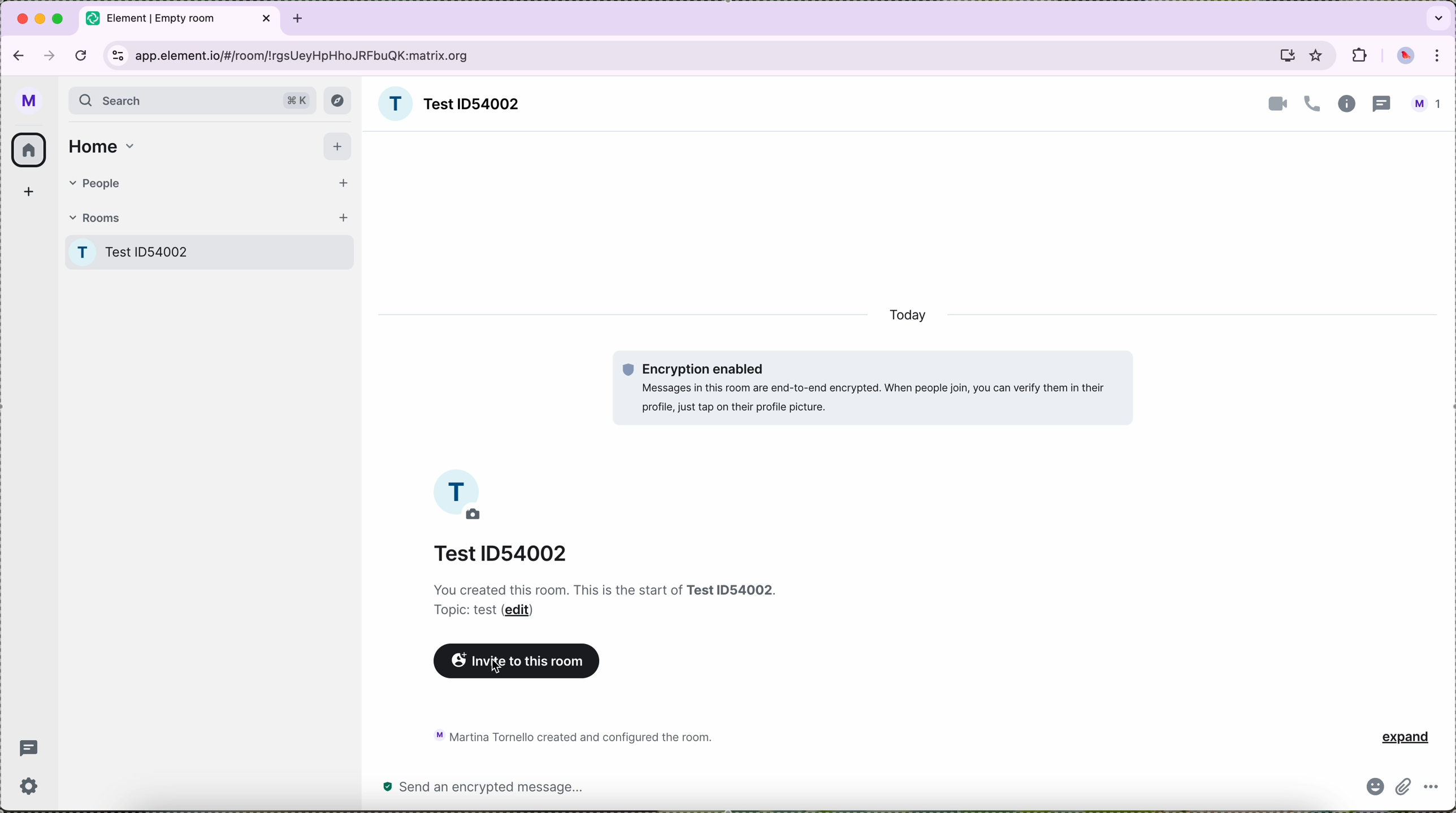 The image size is (1456, 813). I want to click on CURSOR, so click(501, 674).